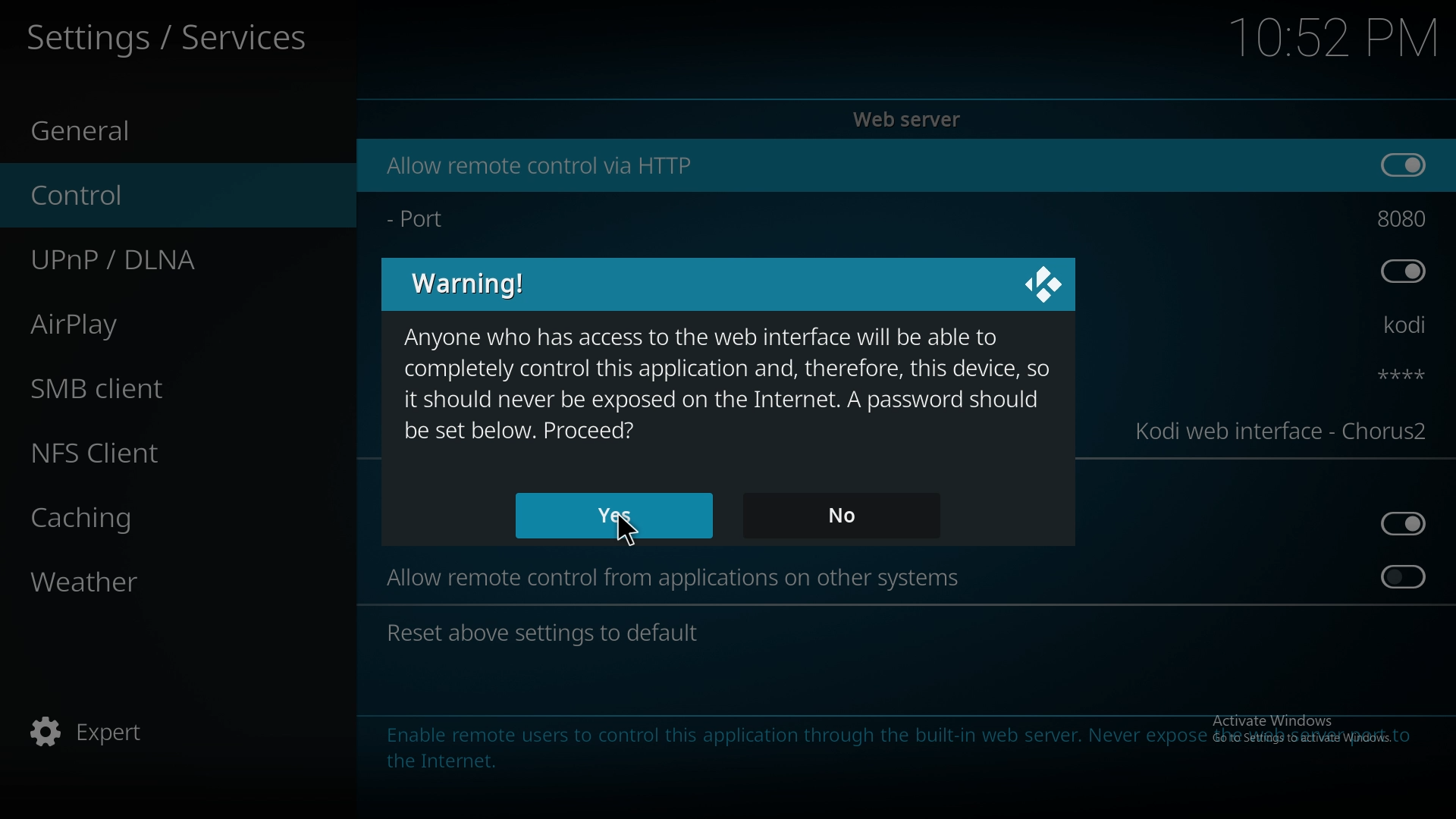  I want to click on expert, so click(155, 729).